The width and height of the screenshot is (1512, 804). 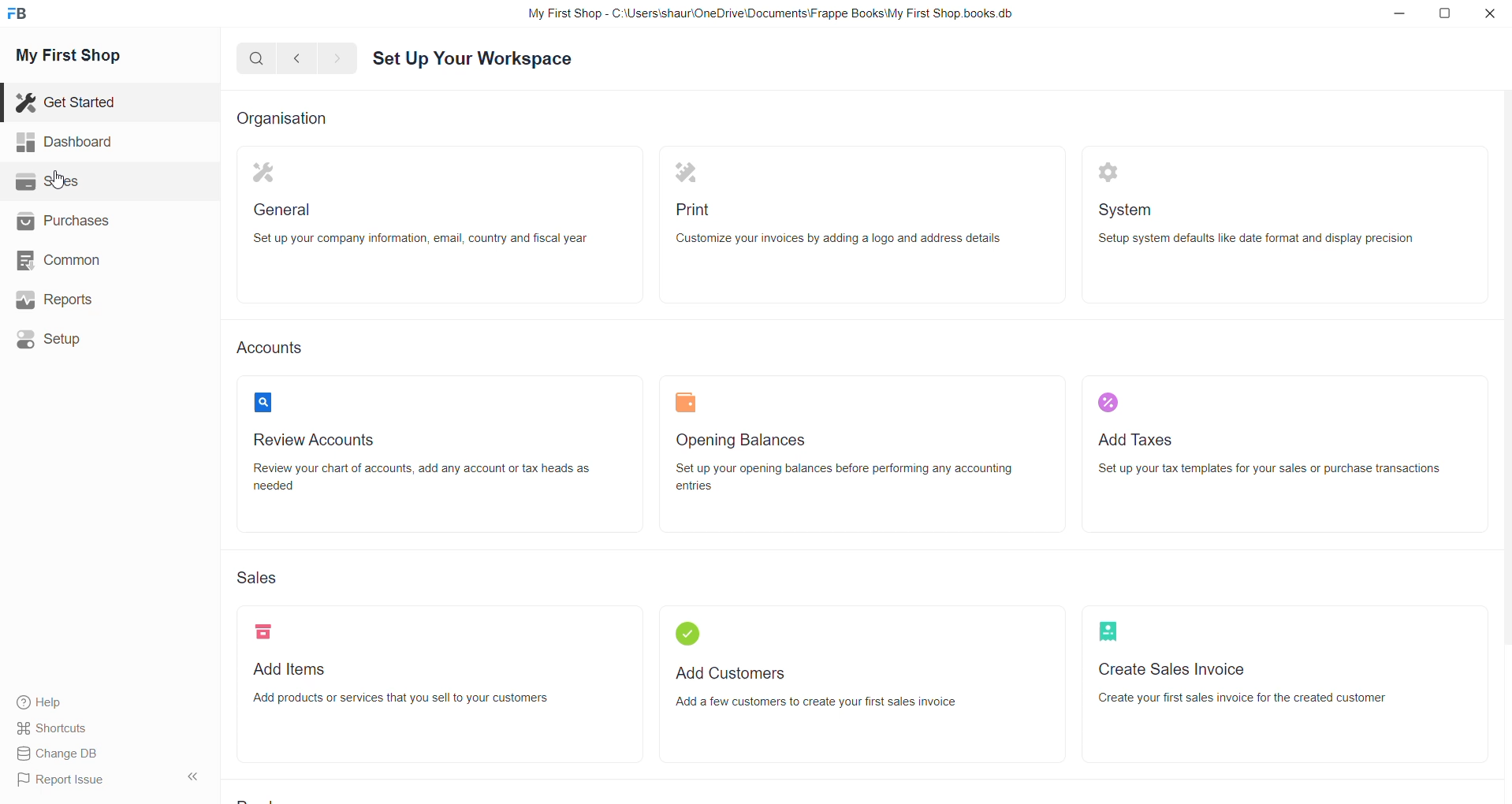 What do you see at coordinates (338, 60) in the screenshot?
I see `go forward ` at bounding box center [338, 60].